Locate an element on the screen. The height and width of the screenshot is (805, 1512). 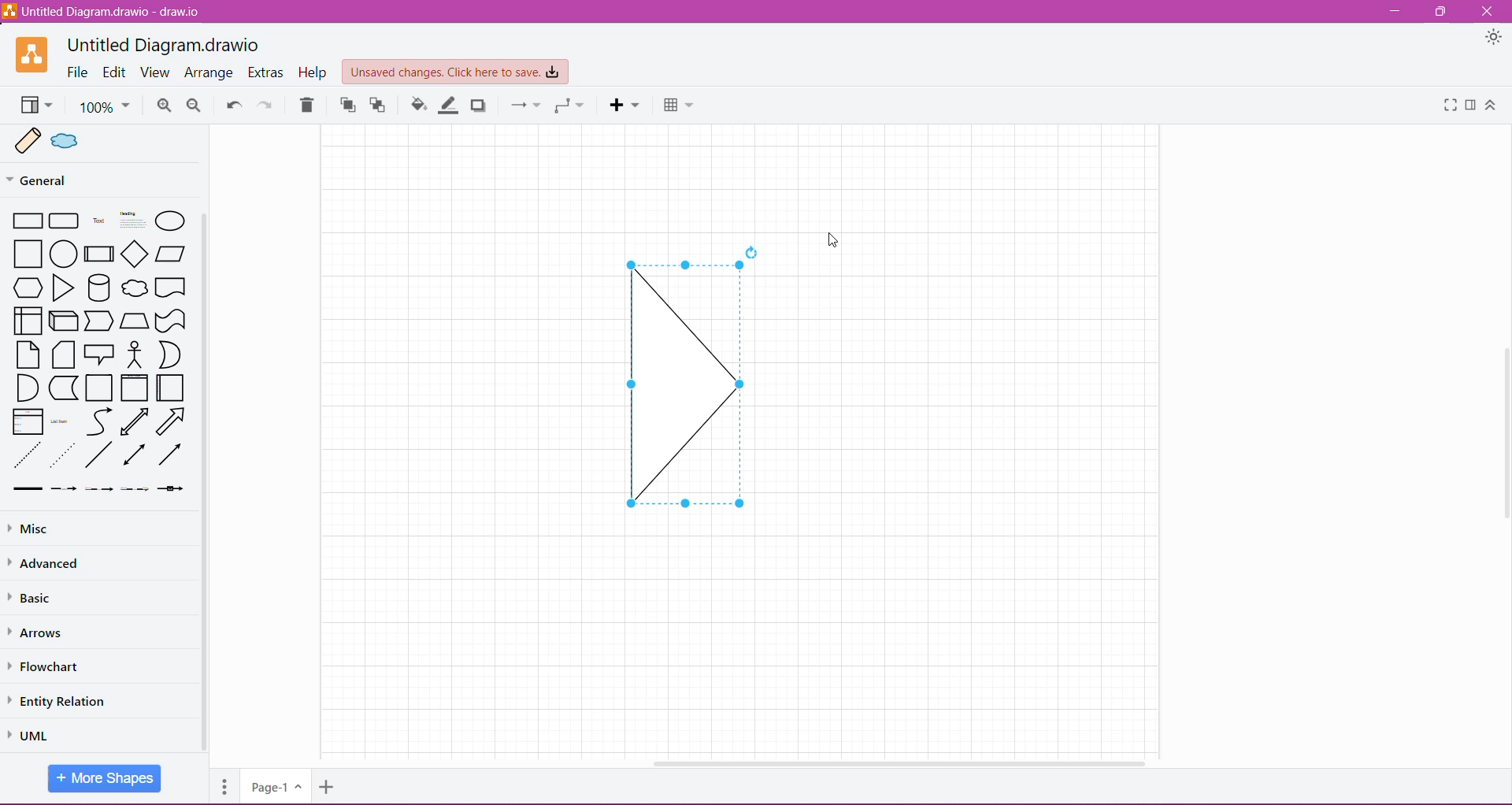
Basic is located at coordinates (31, 600).